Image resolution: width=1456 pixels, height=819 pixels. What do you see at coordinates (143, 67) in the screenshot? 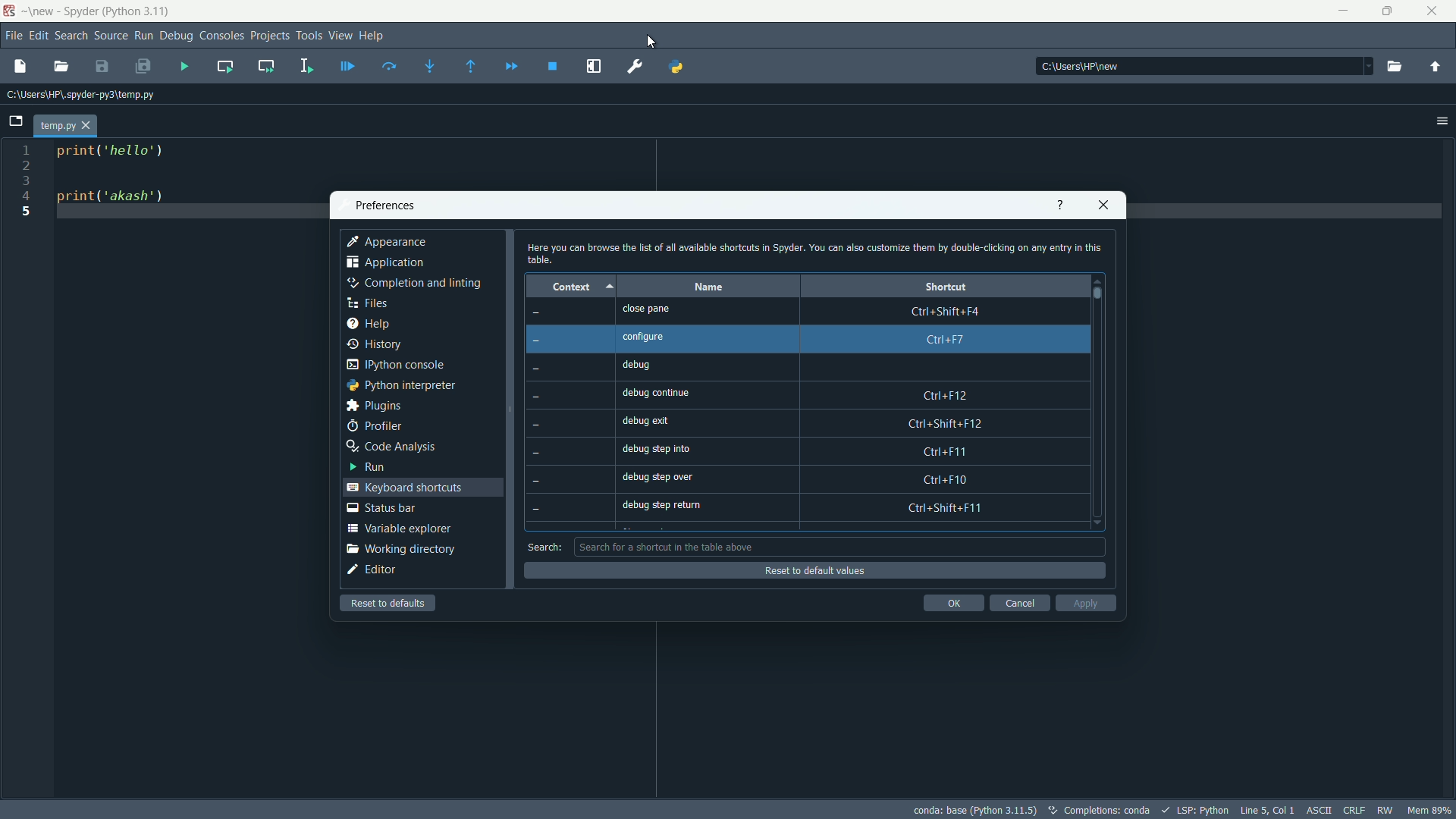
I see `save all files` at bounding box center [143, 67].